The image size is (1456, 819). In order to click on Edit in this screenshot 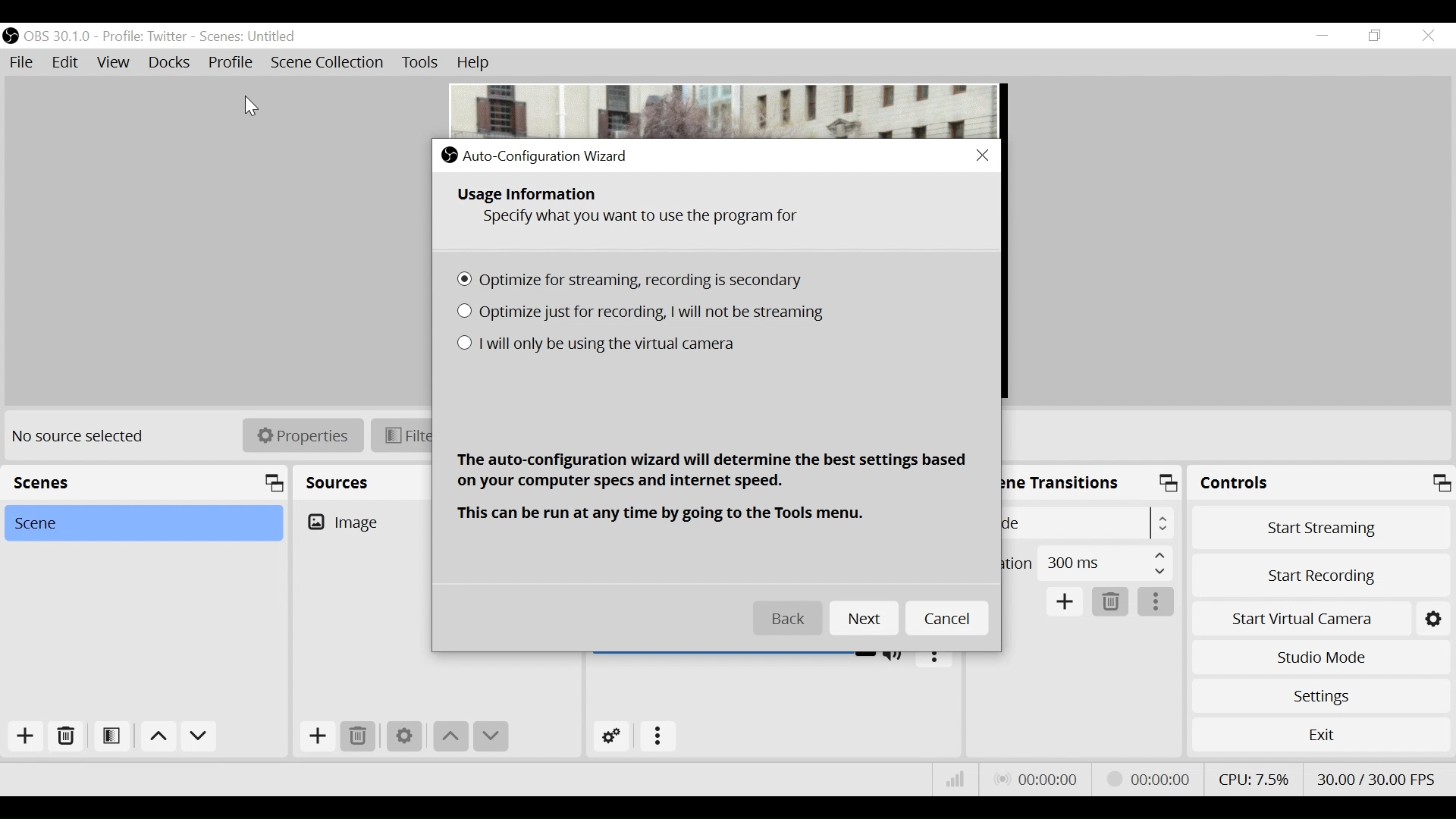, I will do `click(67, 63)`.